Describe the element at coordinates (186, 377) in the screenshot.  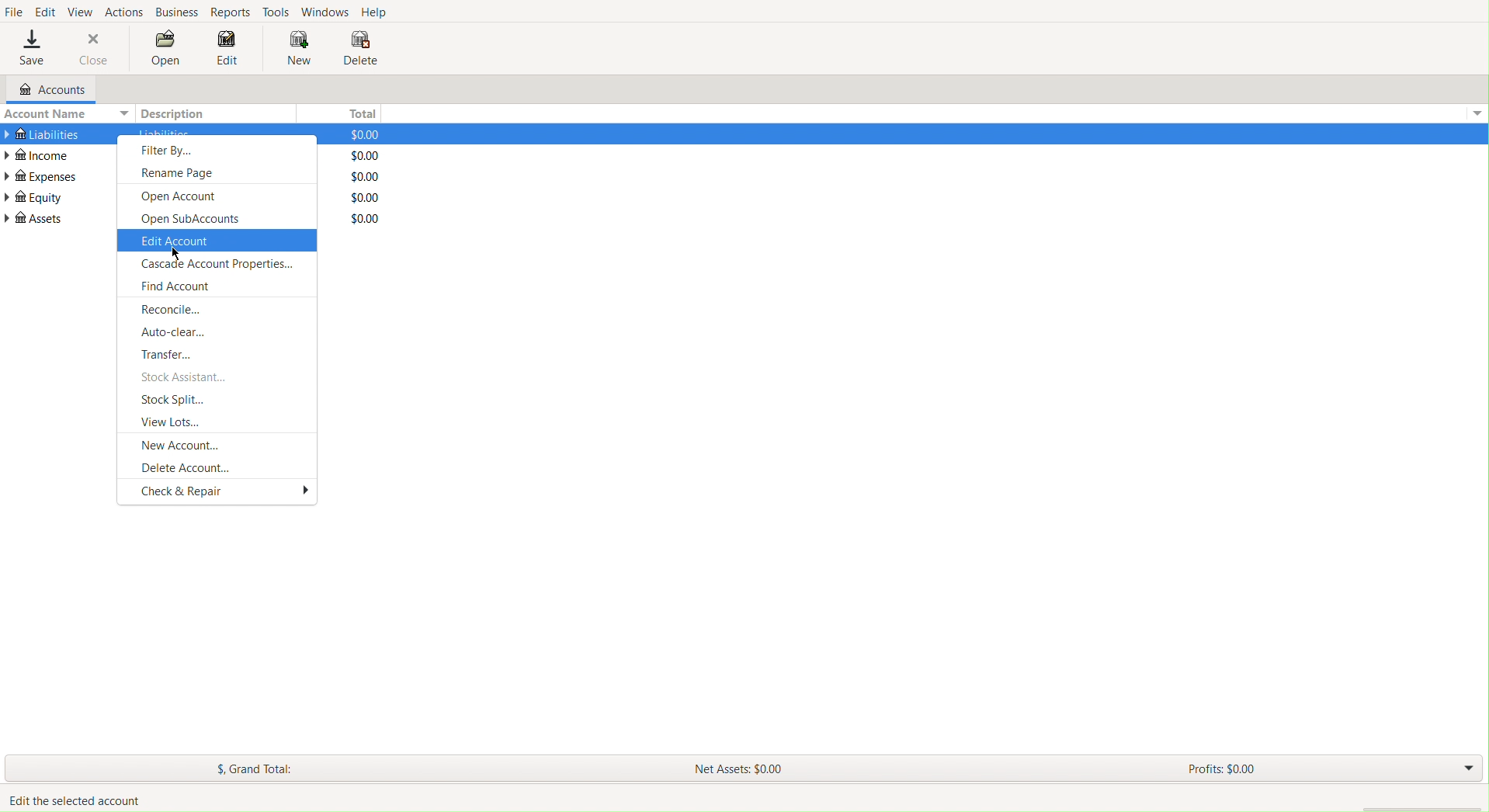
I see `Stock Assistant` at that location.